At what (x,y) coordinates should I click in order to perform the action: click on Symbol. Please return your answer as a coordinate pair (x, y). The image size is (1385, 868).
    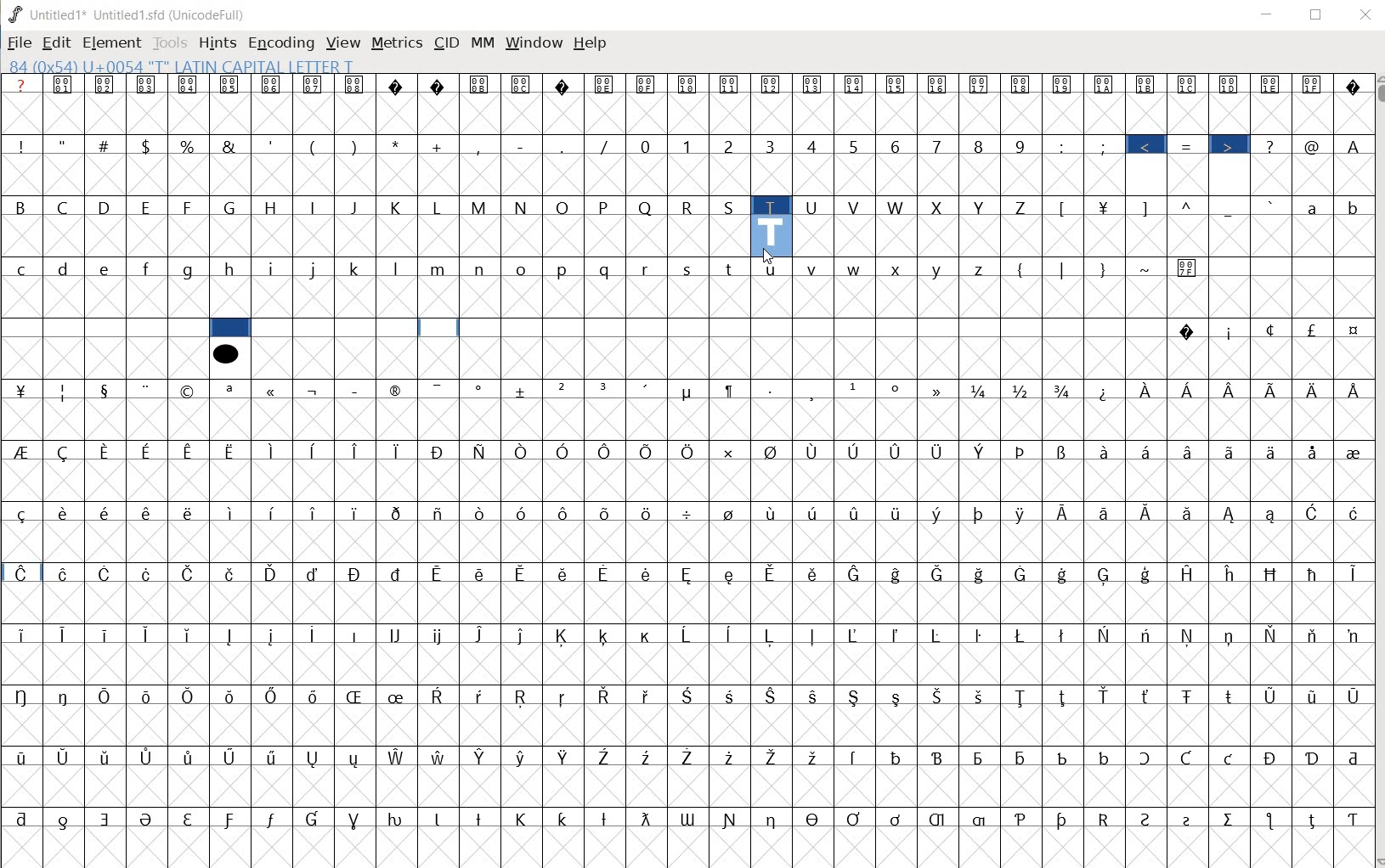
    Looking at the image, I should click on (1350, 696).